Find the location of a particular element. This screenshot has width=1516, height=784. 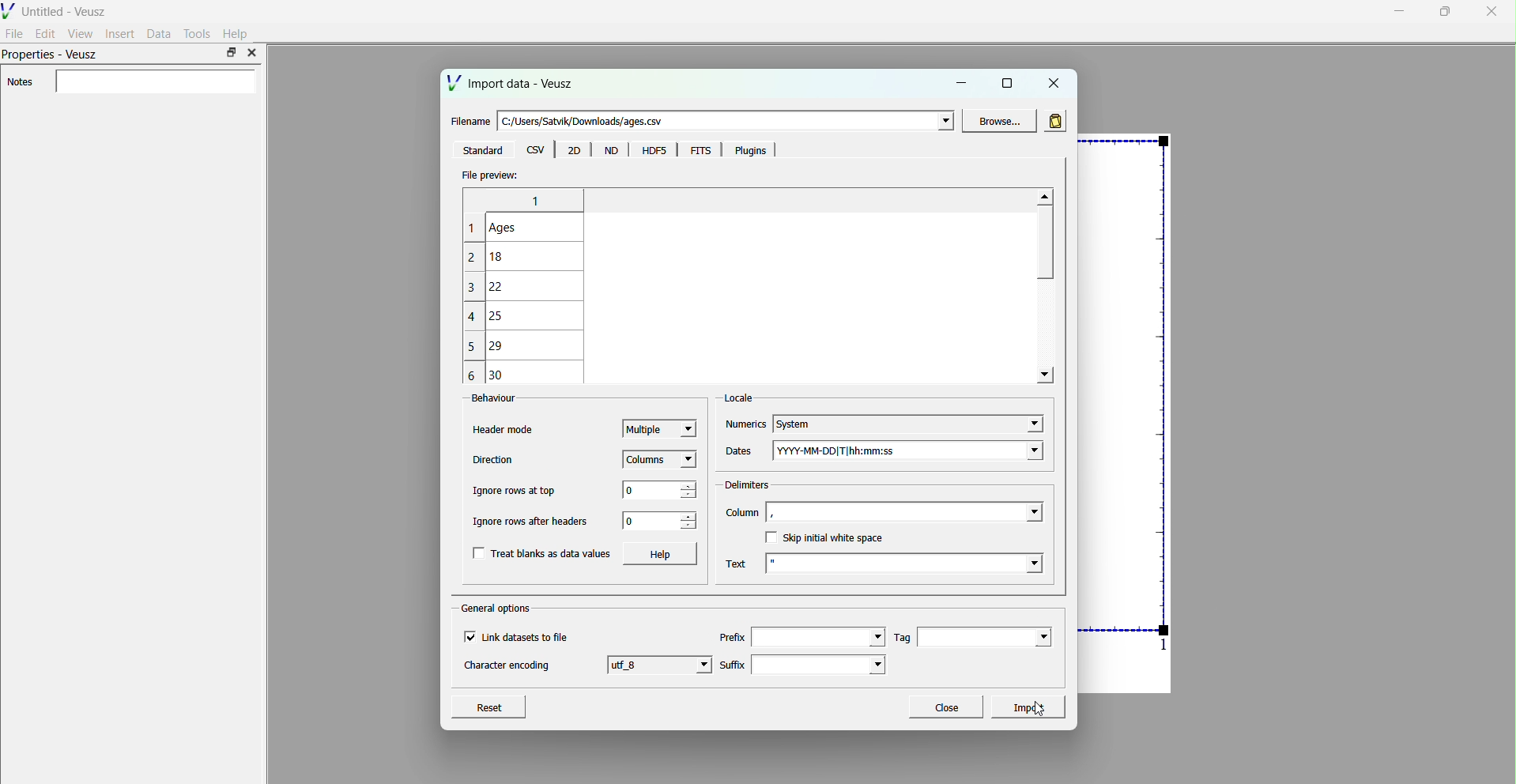

increase is located at coordinates (689, 514).